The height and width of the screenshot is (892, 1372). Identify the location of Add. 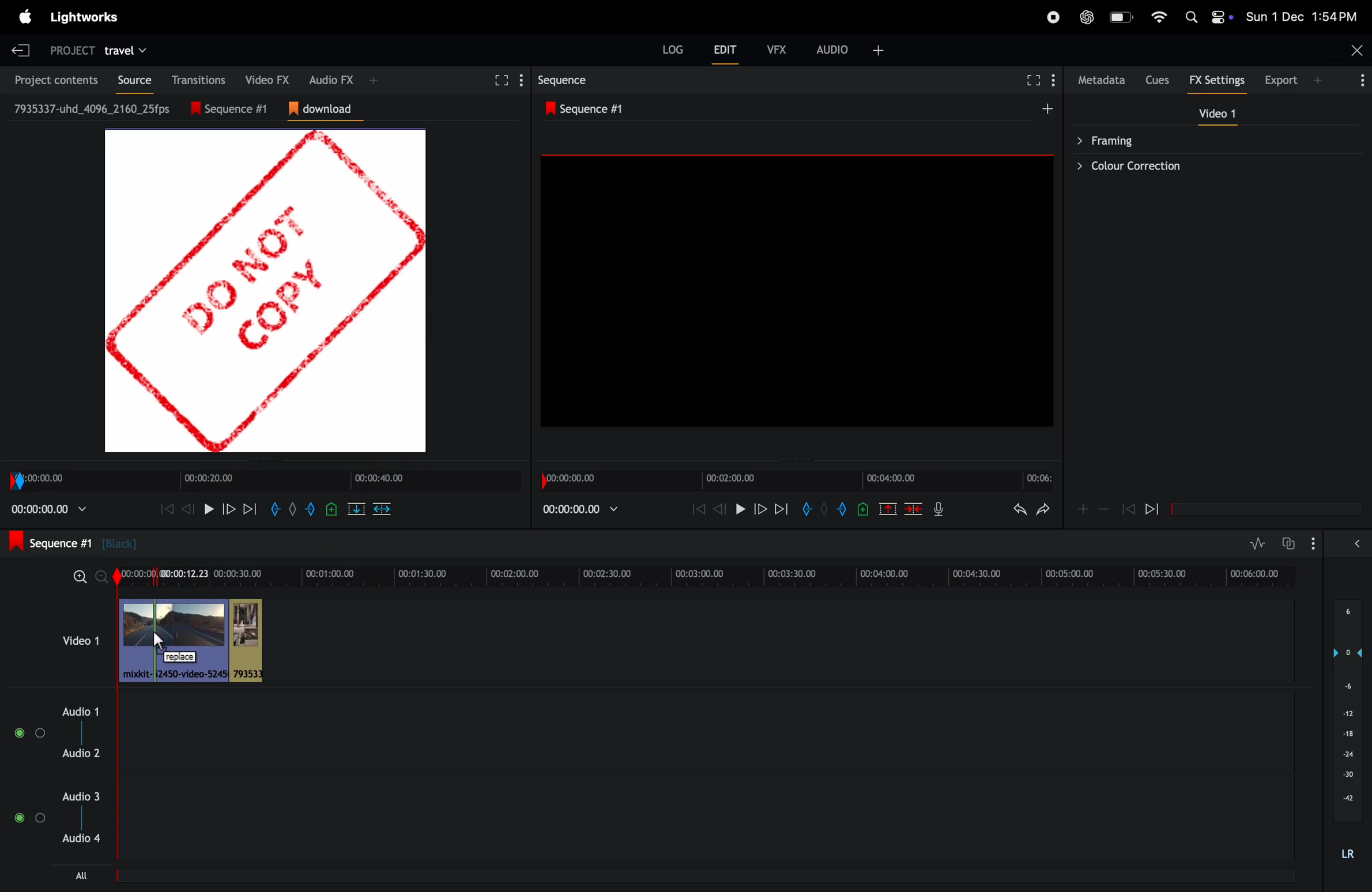
(824, 508).